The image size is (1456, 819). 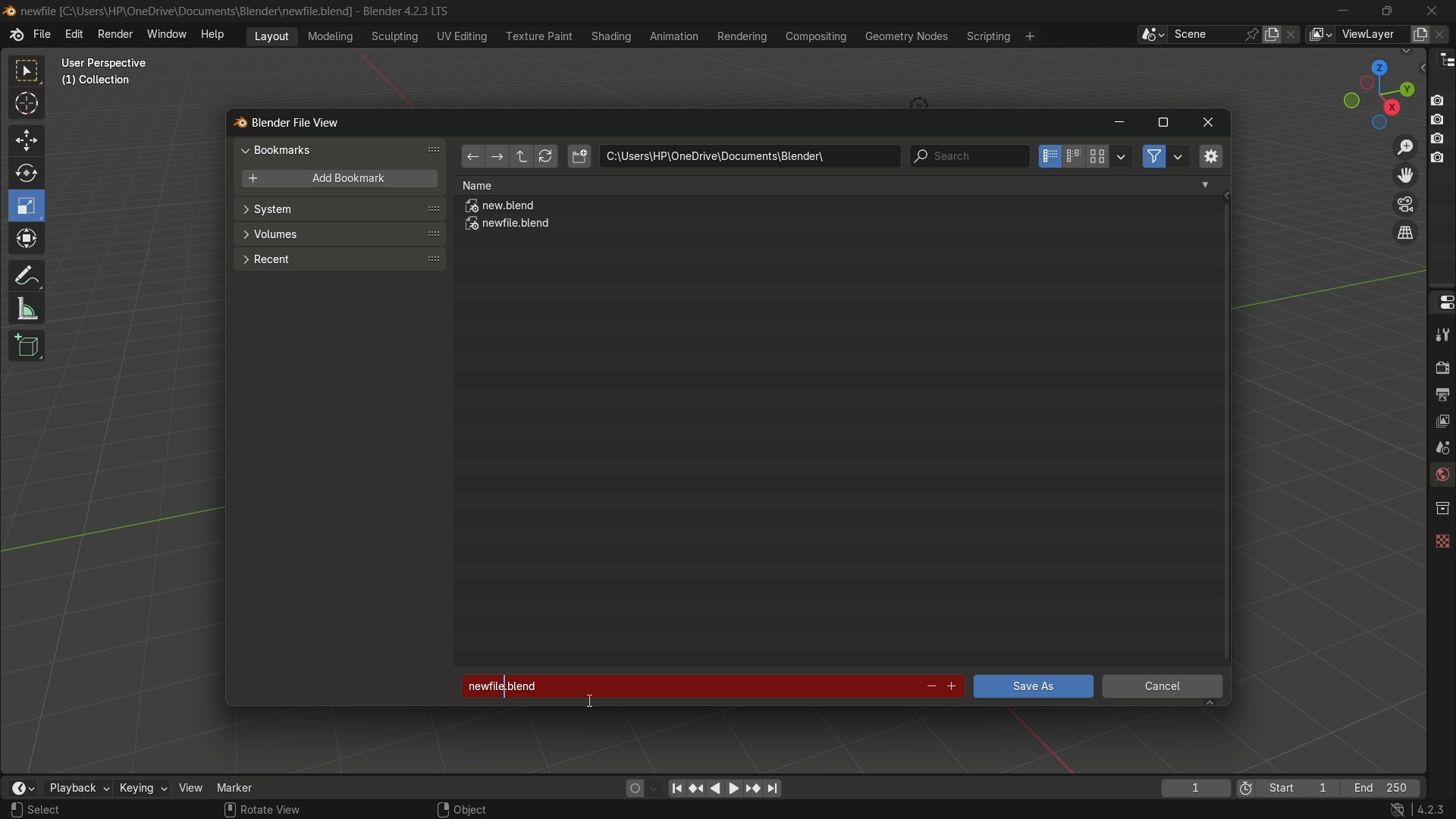 I want to click on jump to endpoint, so click(x=676, y=787).